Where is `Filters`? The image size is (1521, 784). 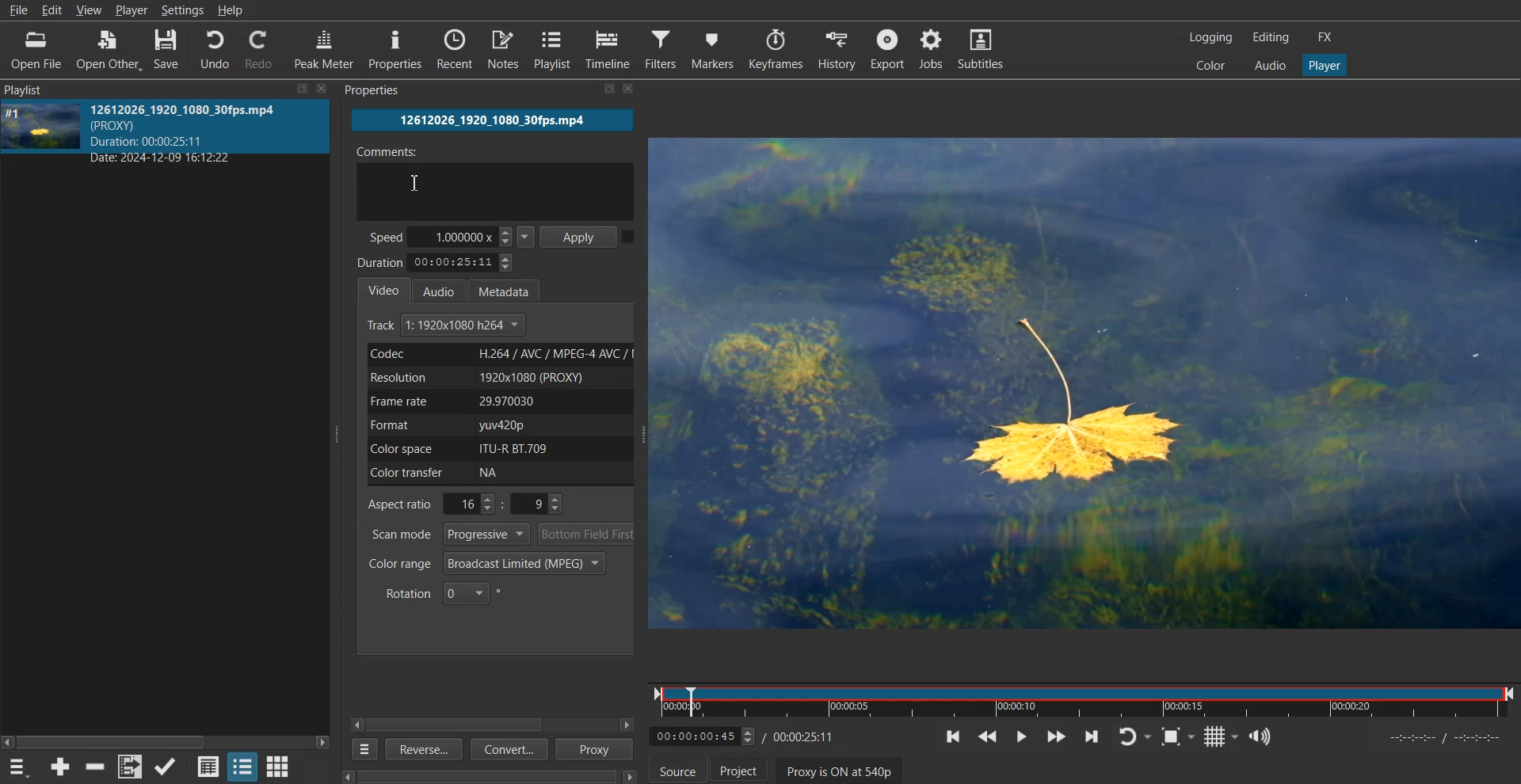
Filters is located at coordinates (661, 48).